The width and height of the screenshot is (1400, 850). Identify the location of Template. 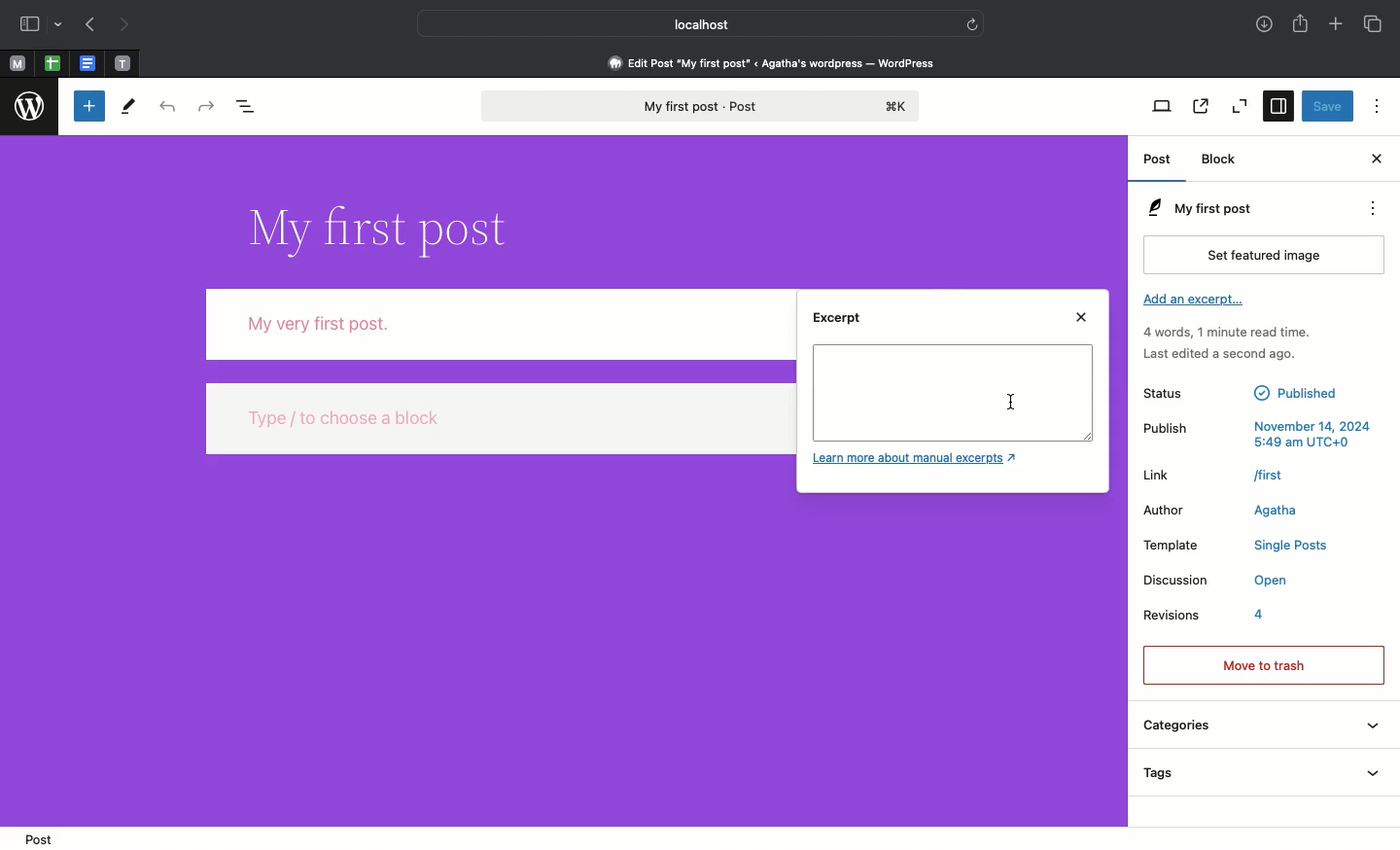
(1236, 547).